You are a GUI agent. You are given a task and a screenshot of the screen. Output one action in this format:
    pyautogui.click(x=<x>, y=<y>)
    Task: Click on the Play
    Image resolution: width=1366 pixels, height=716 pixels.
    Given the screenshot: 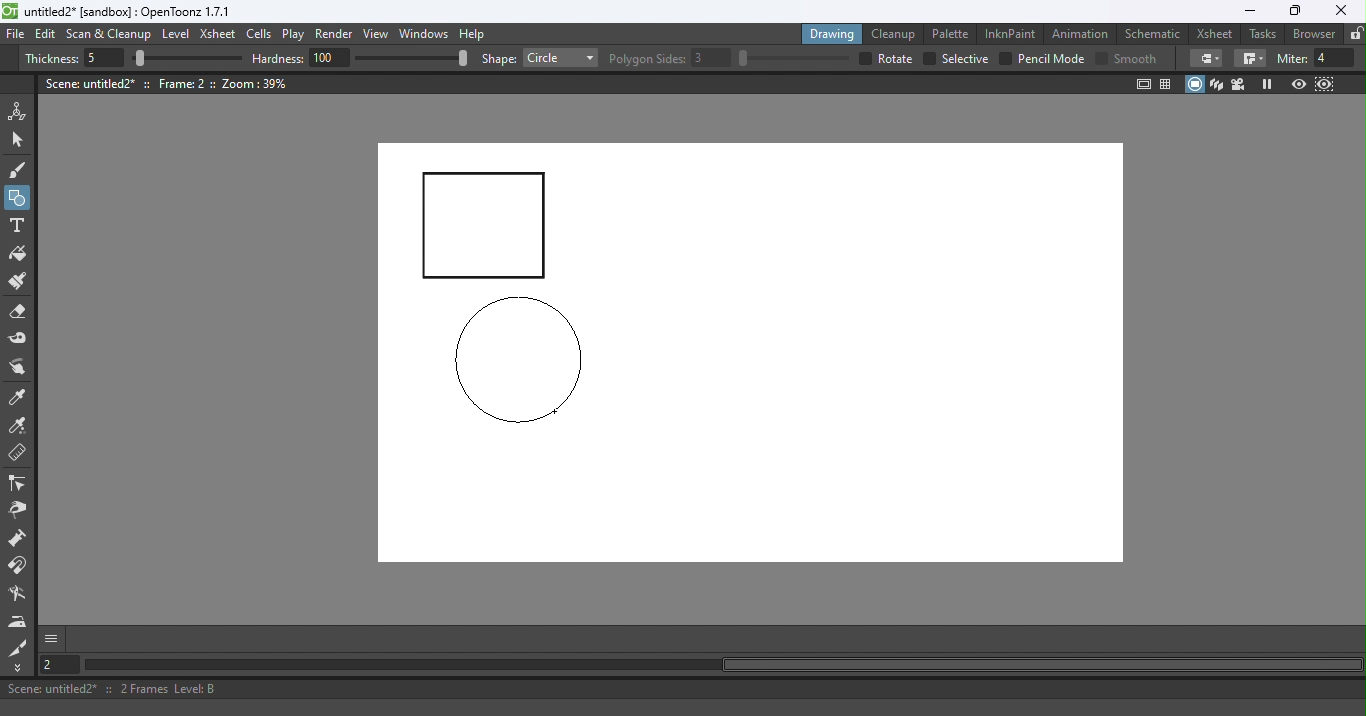 What is the action you would take?
    pyautogui.click(x=297, y=35)
    